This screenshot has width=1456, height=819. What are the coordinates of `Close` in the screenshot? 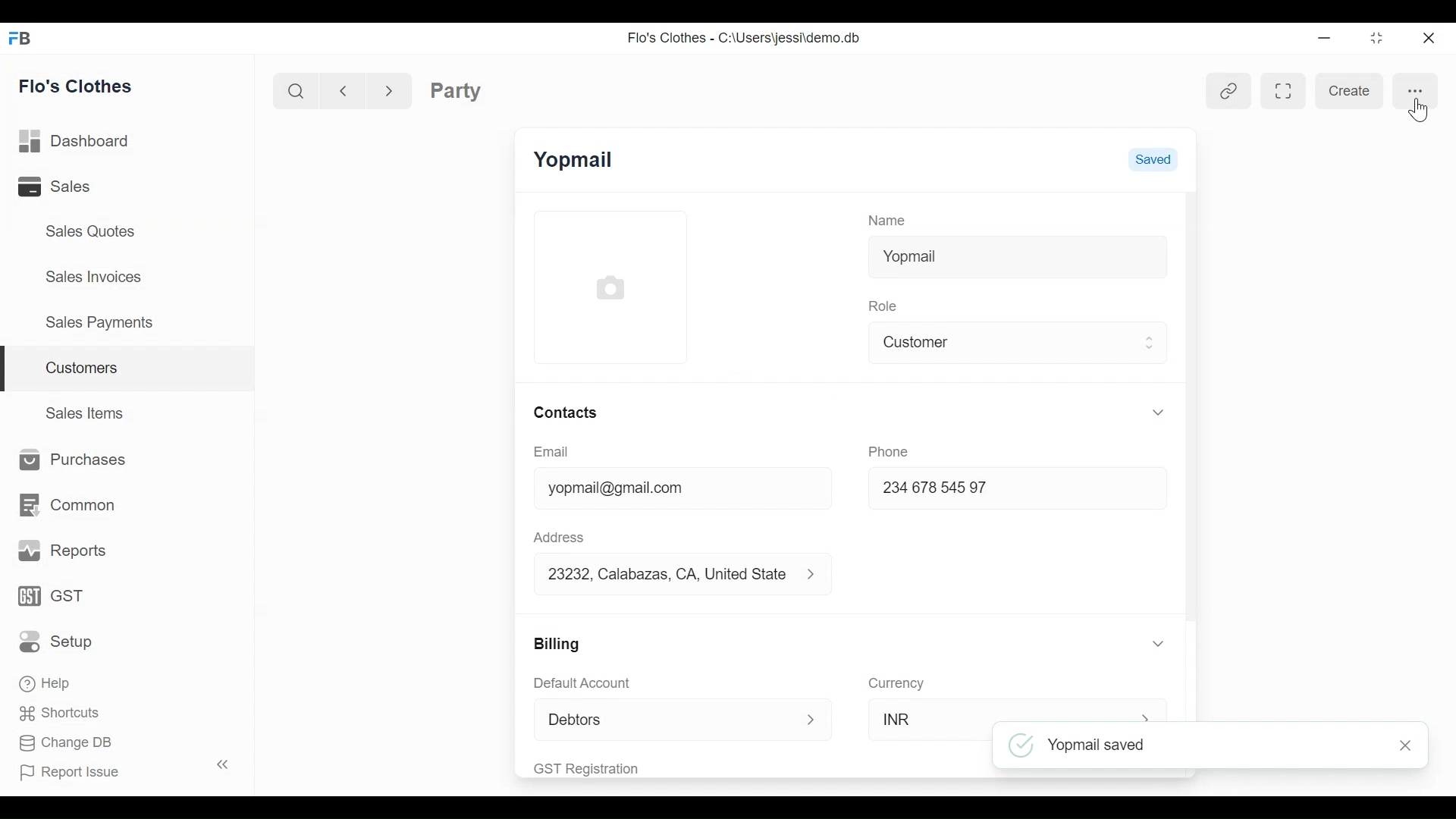 It's located at (1426, 37).